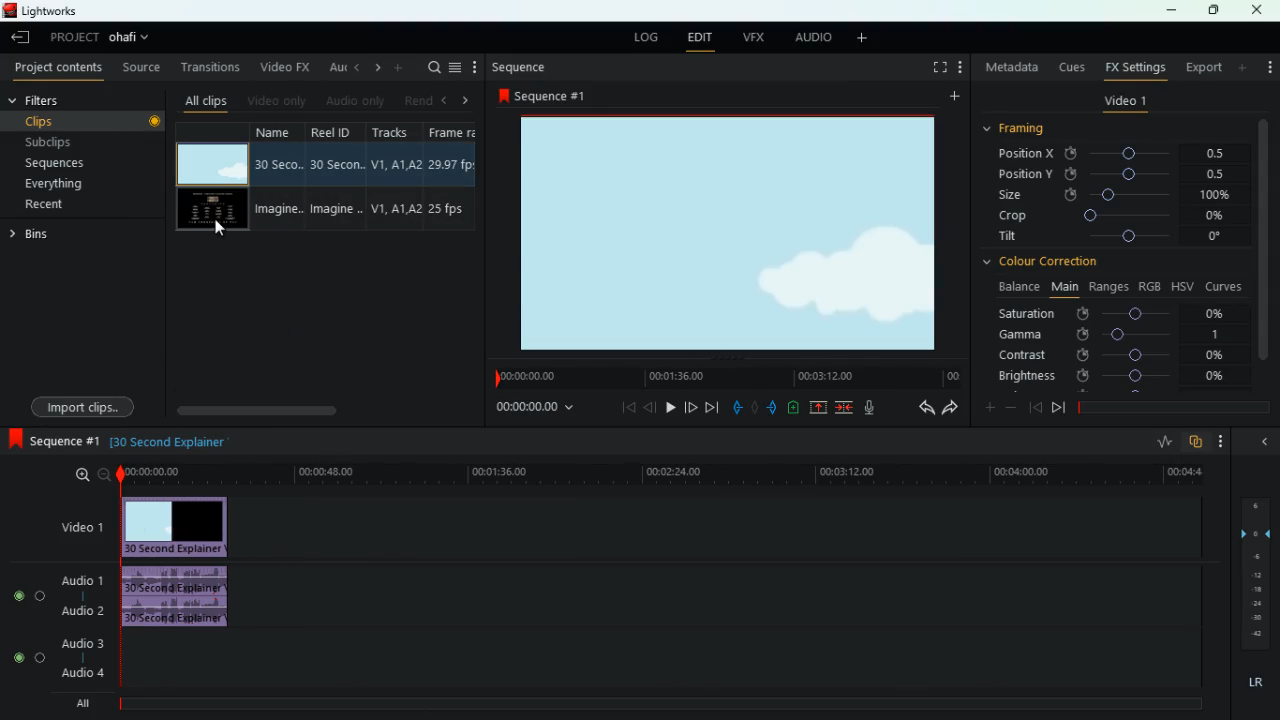 This screenshot has width=1280, height=720. Describe the element at coordinates (355, 67) in the screenshot. I see `back` at that location.